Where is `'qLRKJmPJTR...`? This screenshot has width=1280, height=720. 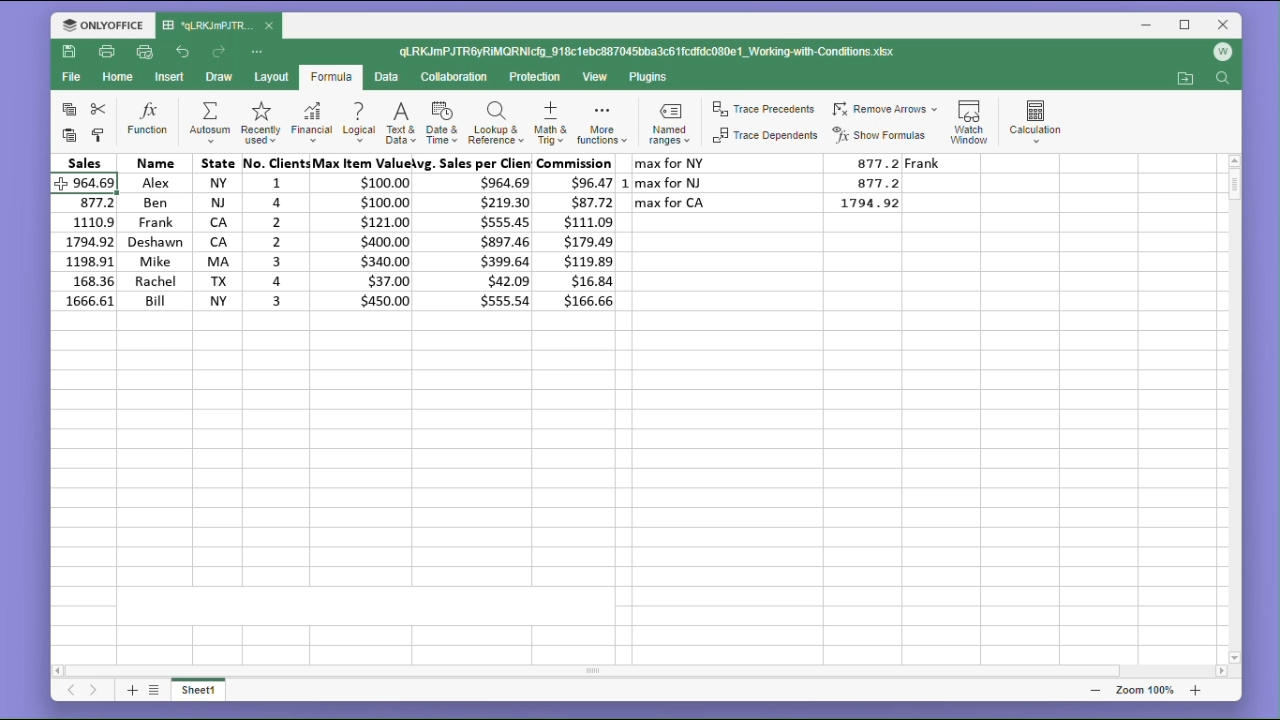
'qLRKJmPJTR... is located at coordinates (208, 25).